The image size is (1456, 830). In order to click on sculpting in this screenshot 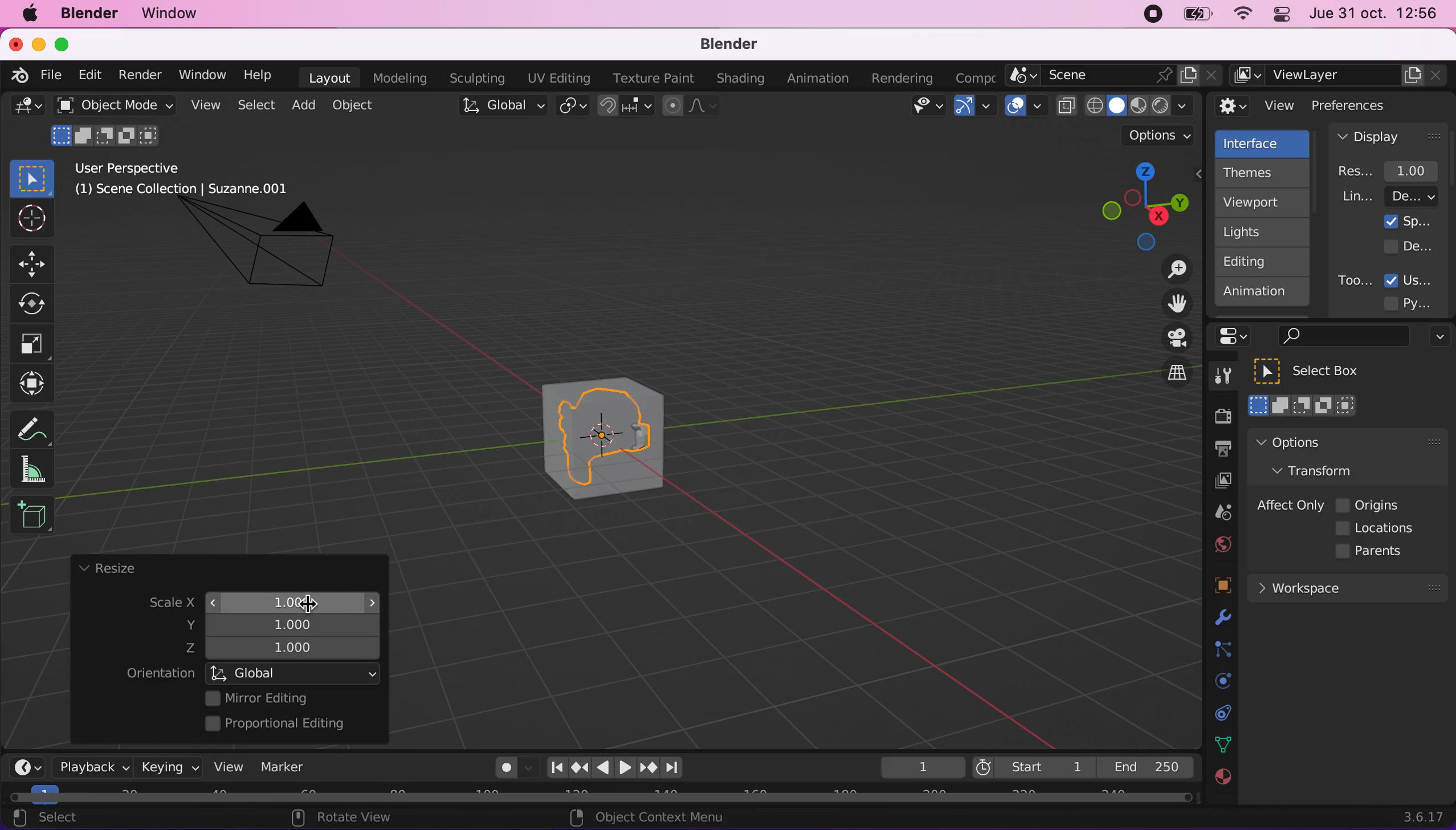, I will do `click(474, 78)`.